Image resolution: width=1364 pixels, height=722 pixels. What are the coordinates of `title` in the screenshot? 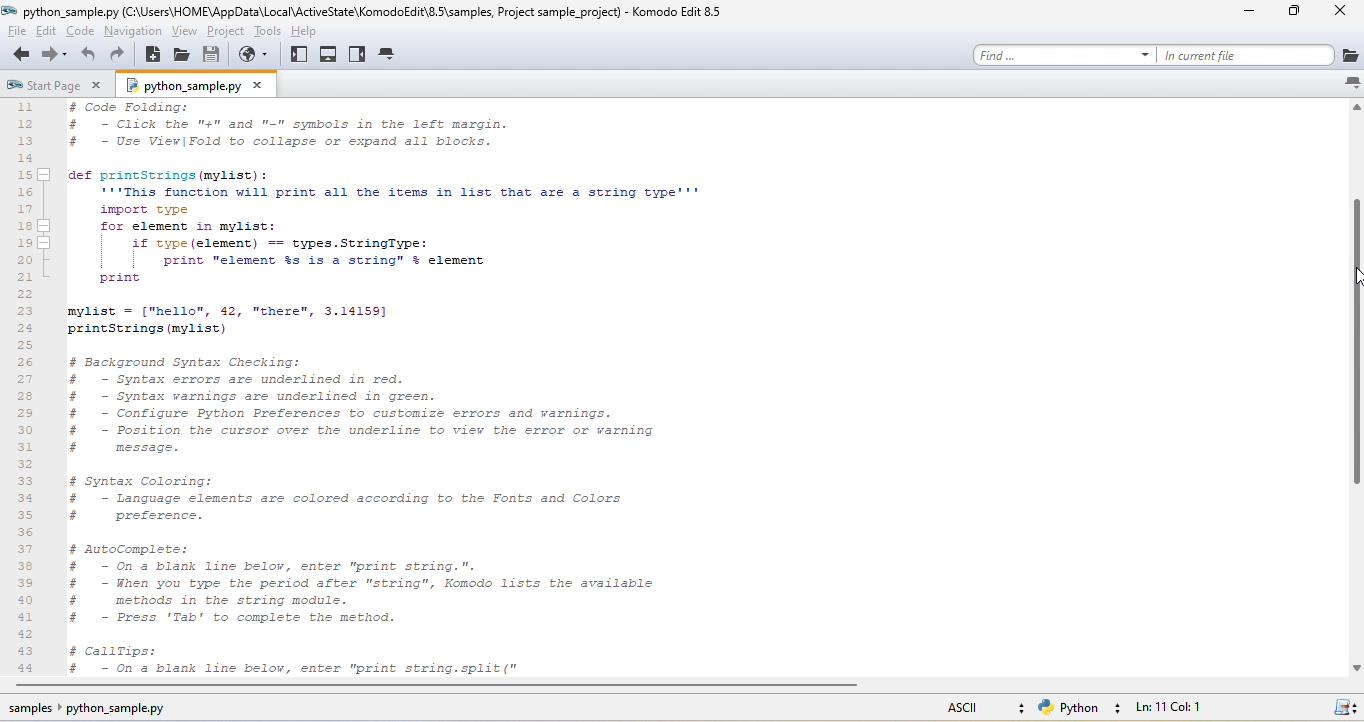 It's located at (679, 11).